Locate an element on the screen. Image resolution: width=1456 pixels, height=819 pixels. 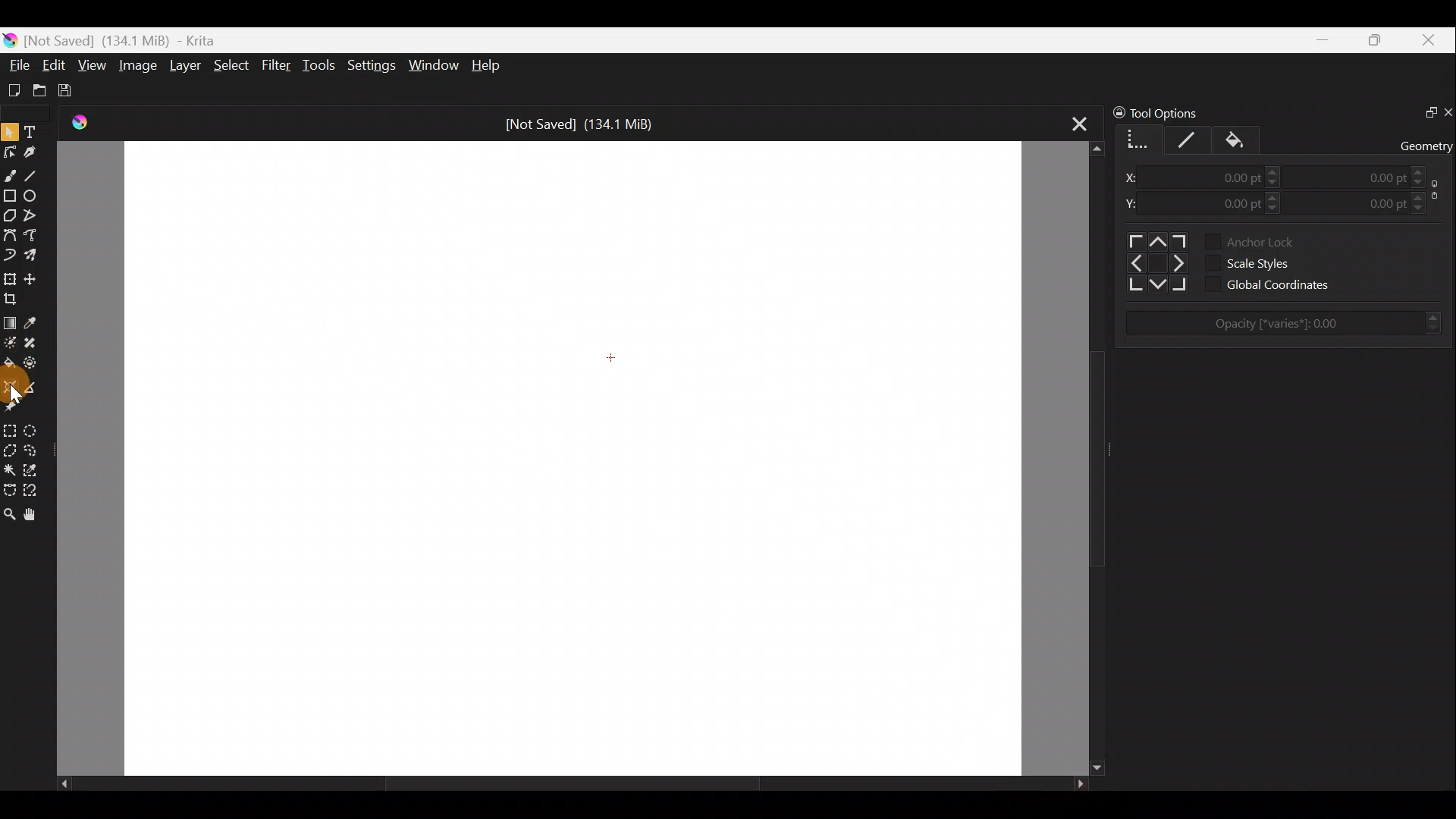
Save is located at coordinates (74, 91).